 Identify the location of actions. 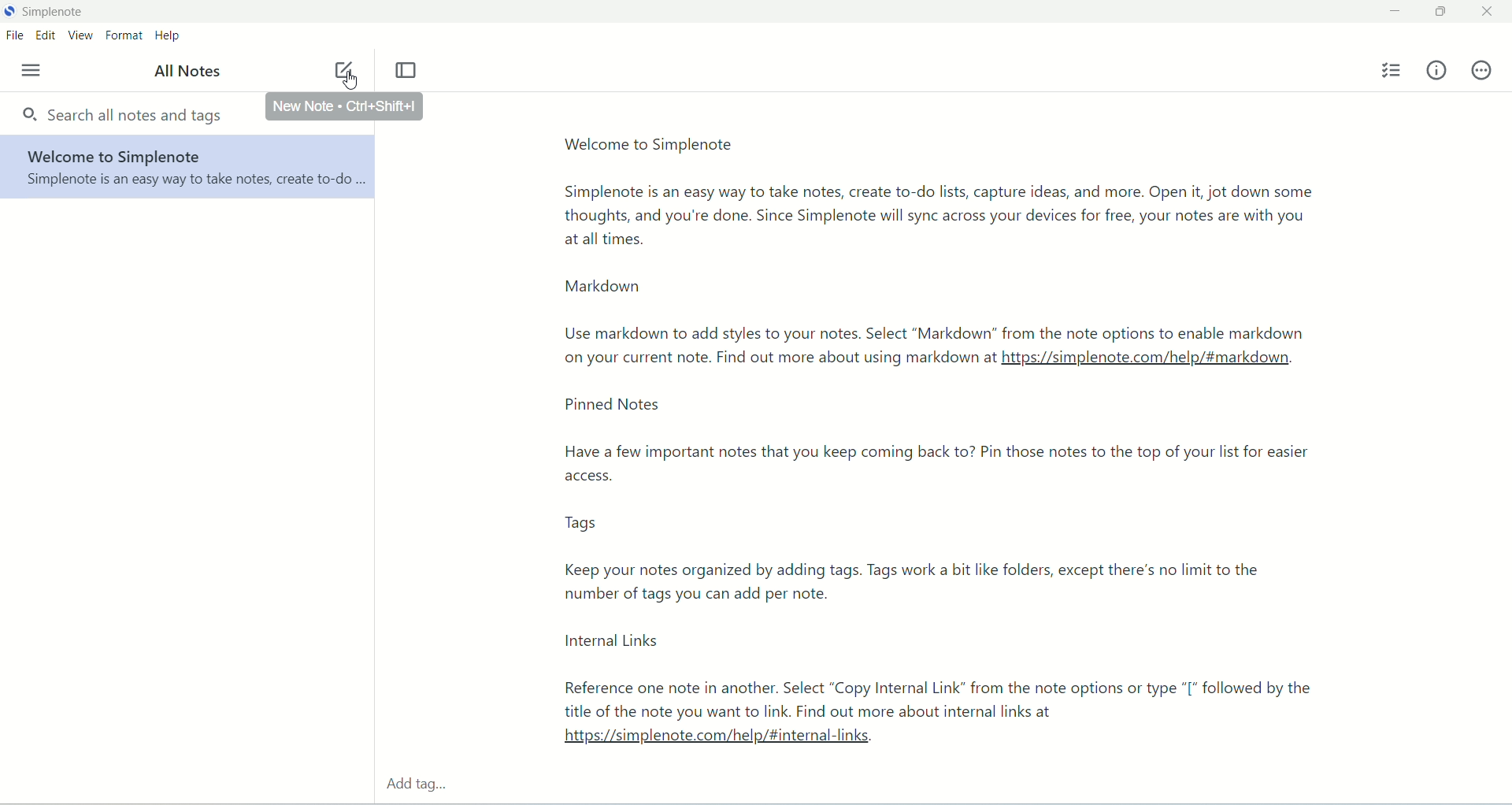
(1484, 73).